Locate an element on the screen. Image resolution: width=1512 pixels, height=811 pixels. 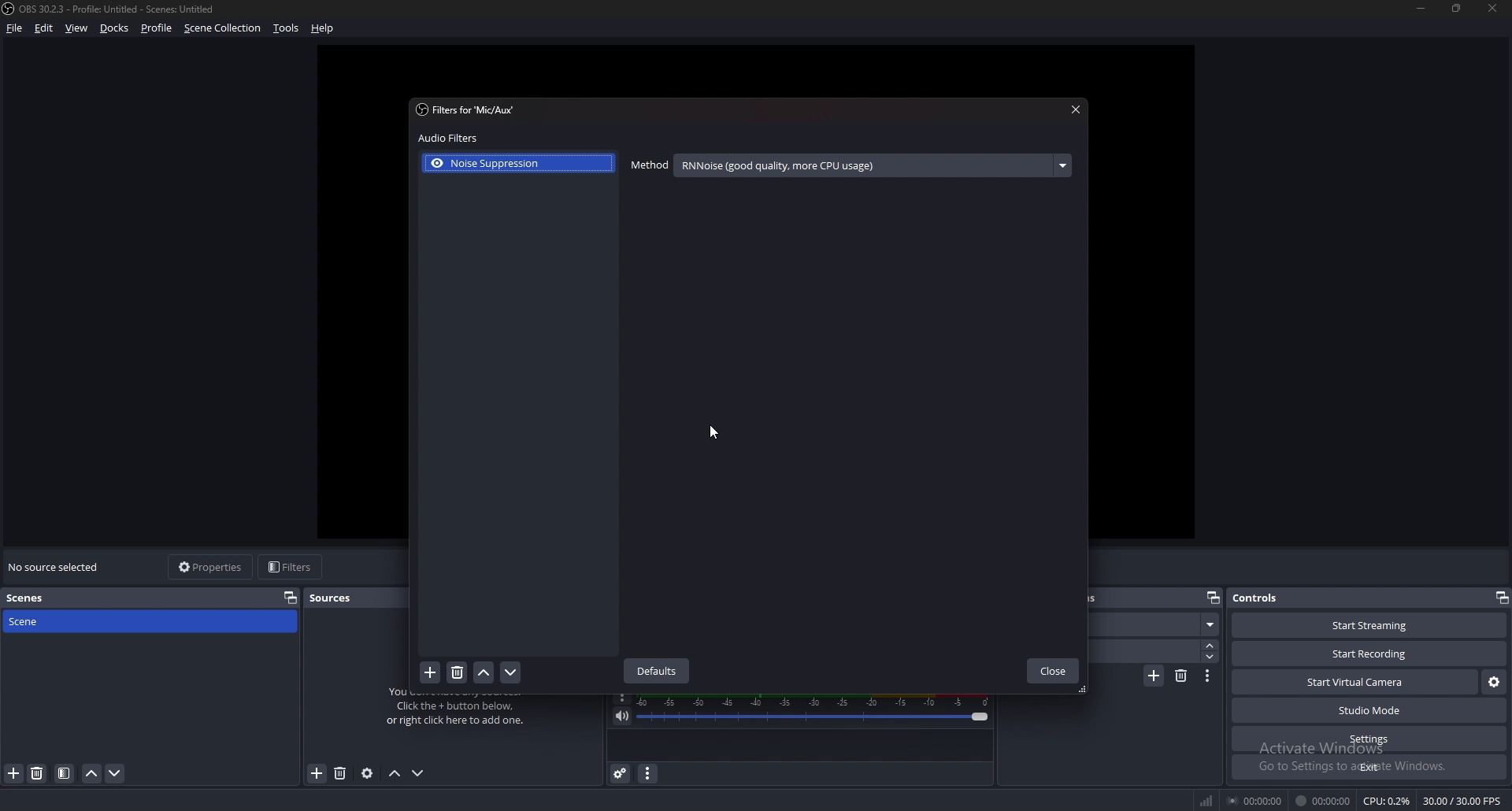
decrease duration is located at coordinates (1212, 657).